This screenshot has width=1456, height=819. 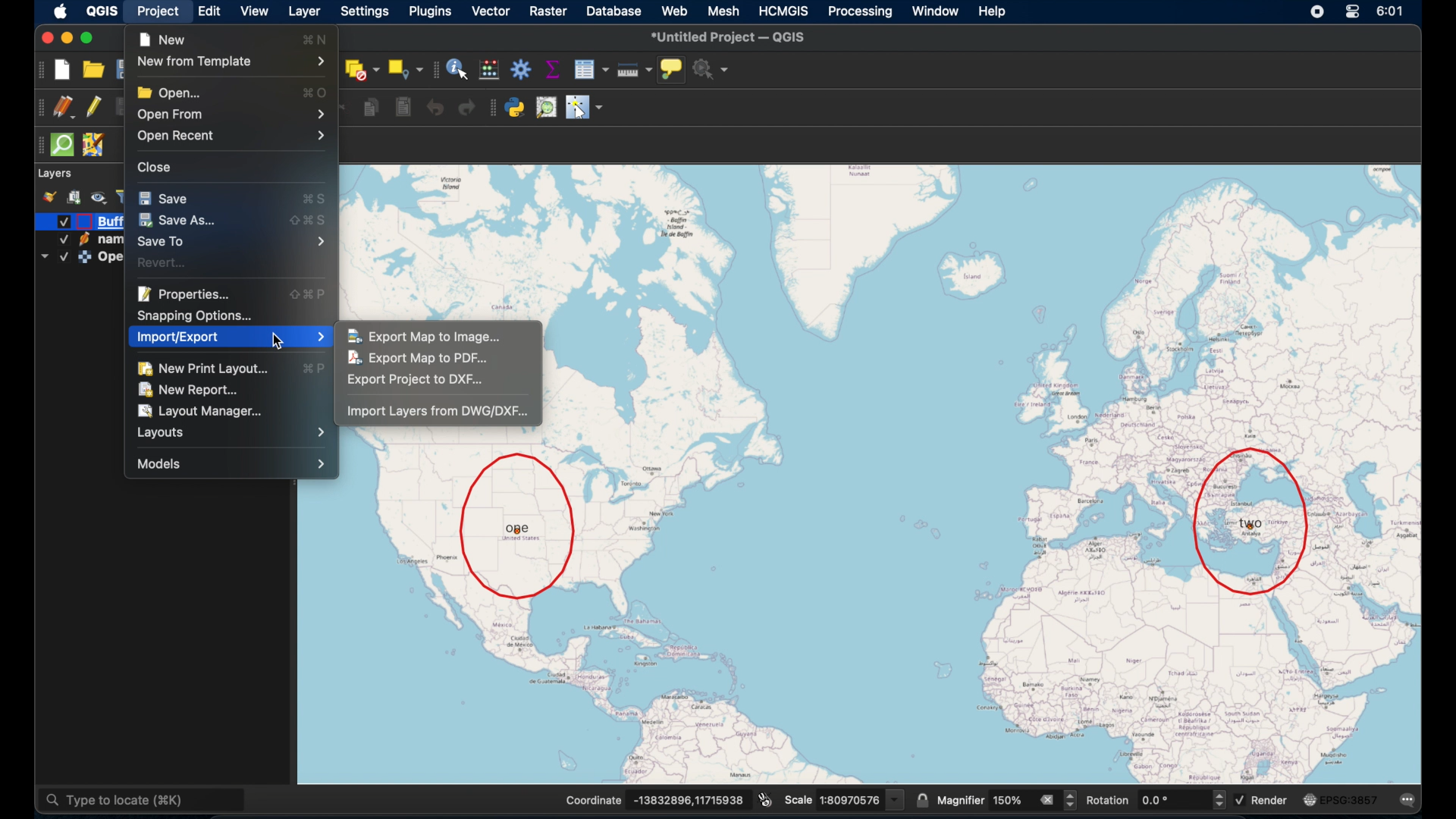 I want to click on new print layout, so click(x=210, y=366).